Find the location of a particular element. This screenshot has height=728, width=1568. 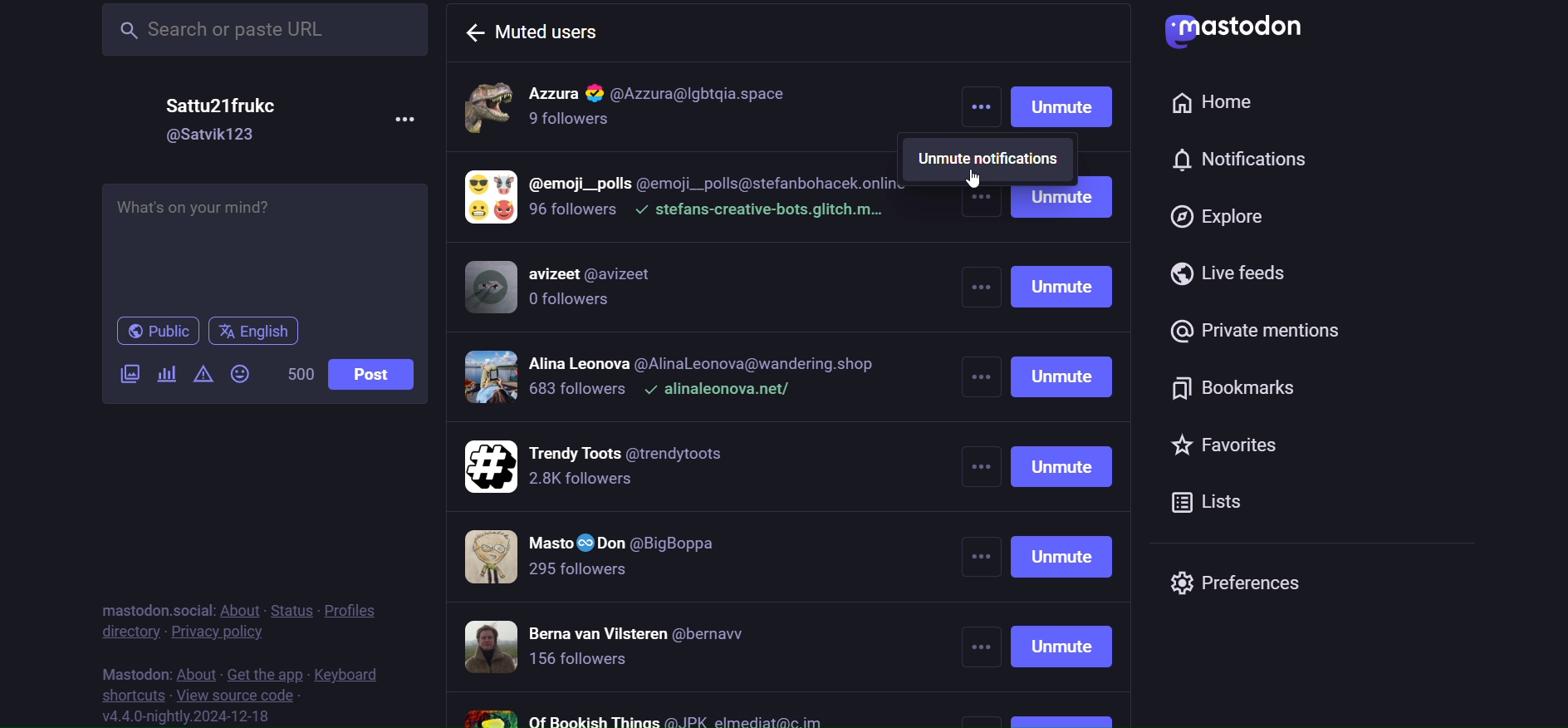

favorites is located at coordinates (1226, 442).